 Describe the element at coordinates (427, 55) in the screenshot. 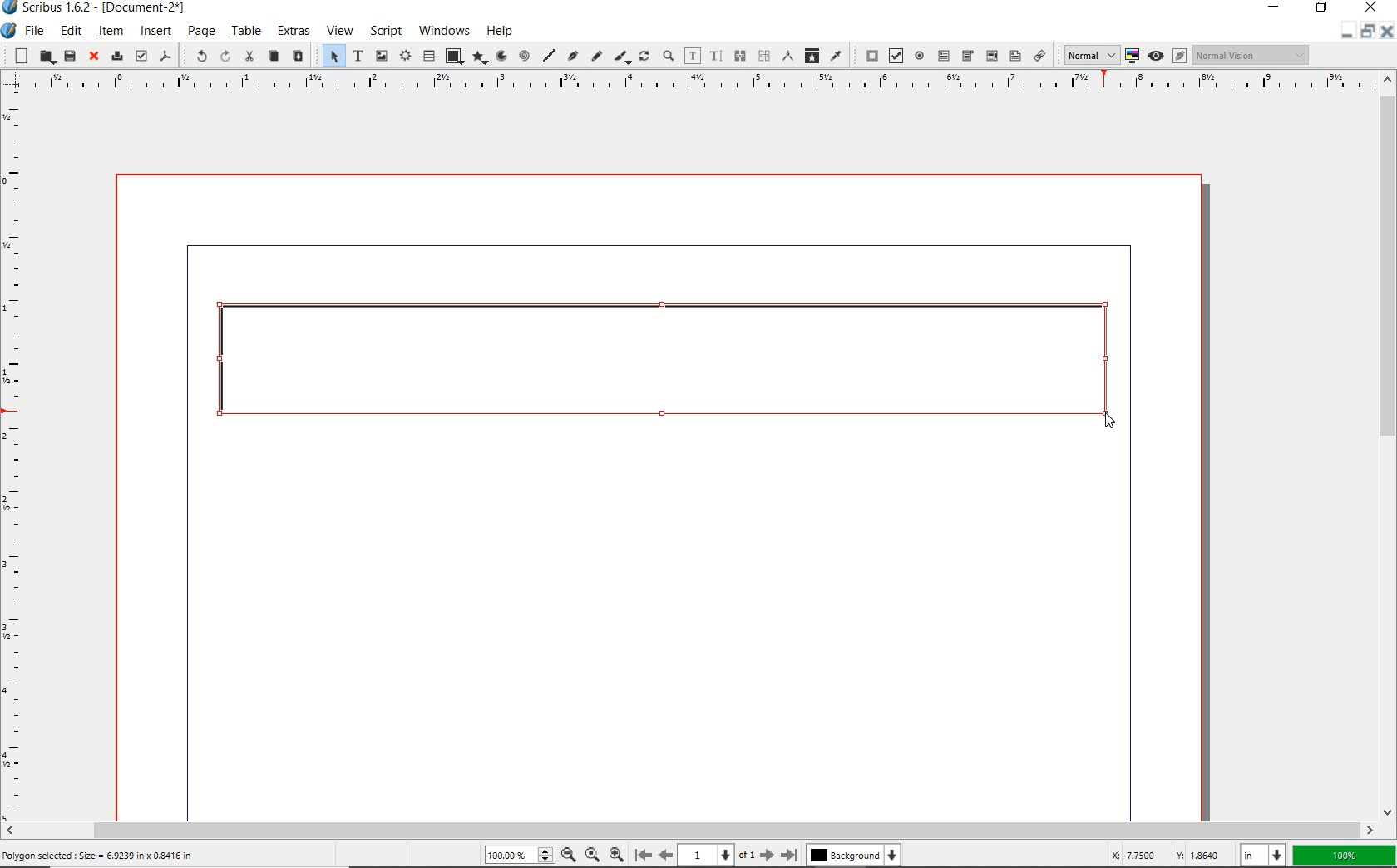

I see `table` at that location.